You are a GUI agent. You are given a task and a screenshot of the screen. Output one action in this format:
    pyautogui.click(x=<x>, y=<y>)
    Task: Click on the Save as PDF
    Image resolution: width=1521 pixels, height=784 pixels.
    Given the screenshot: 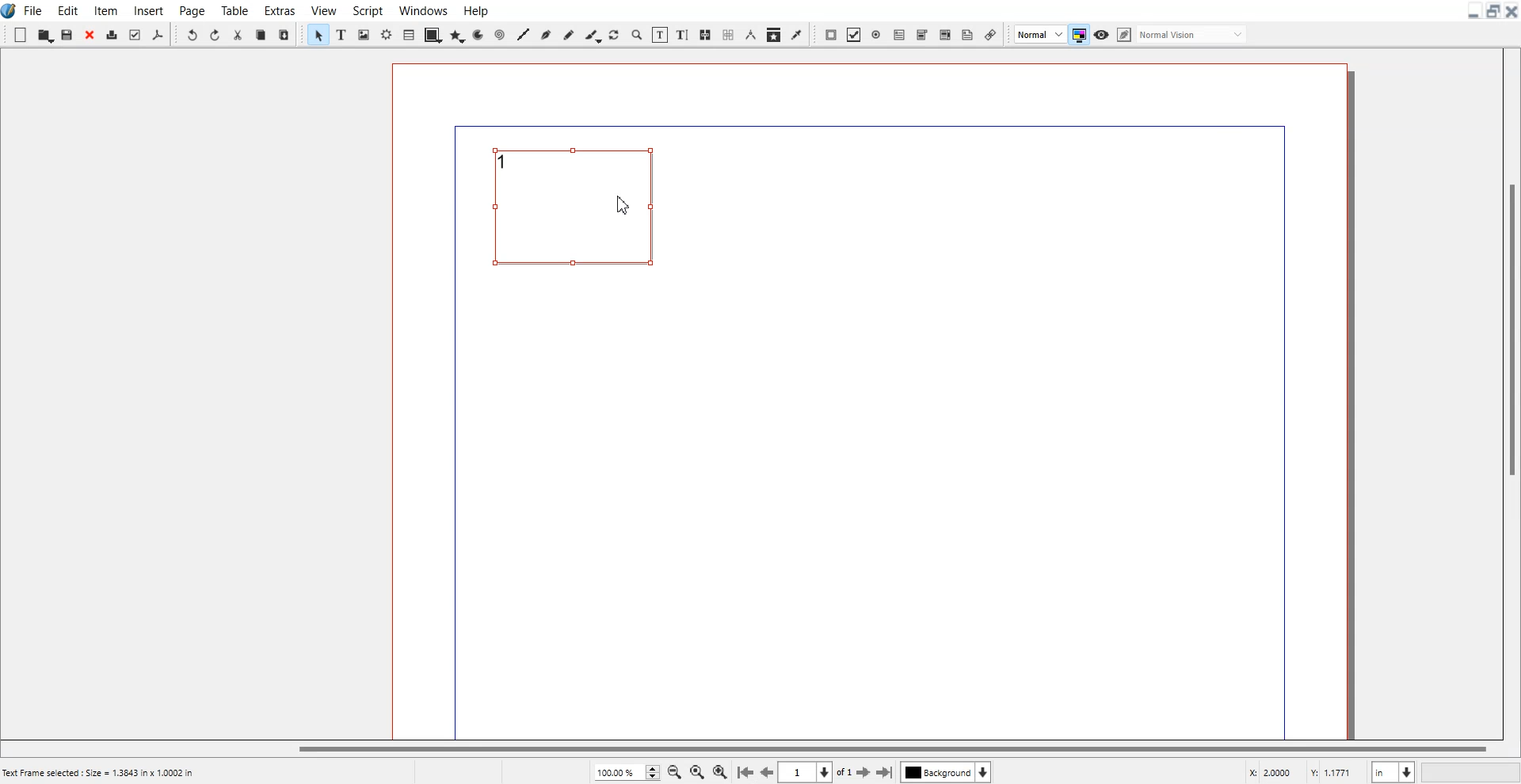 What is the action you would take?
    pyautogui.click(x=157, y=34)
    